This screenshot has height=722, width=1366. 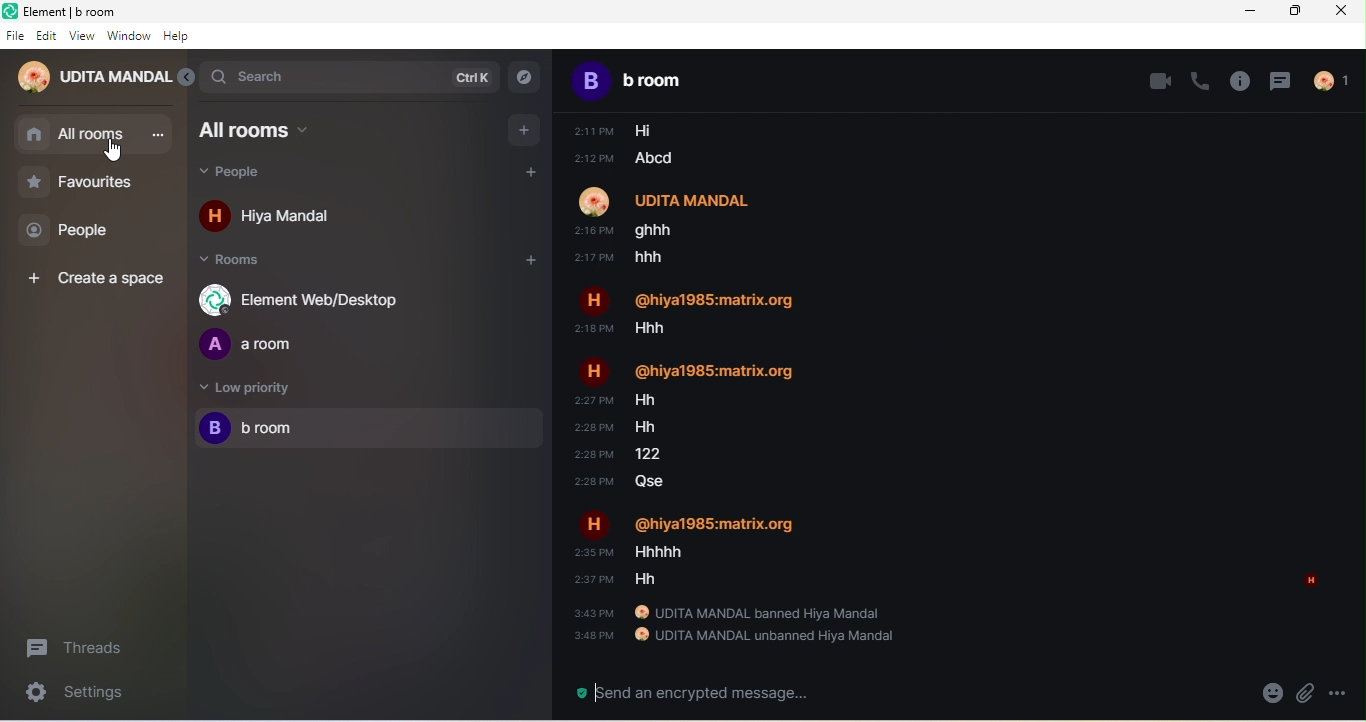 I want to click on older chat, so click(x=952, y=379).